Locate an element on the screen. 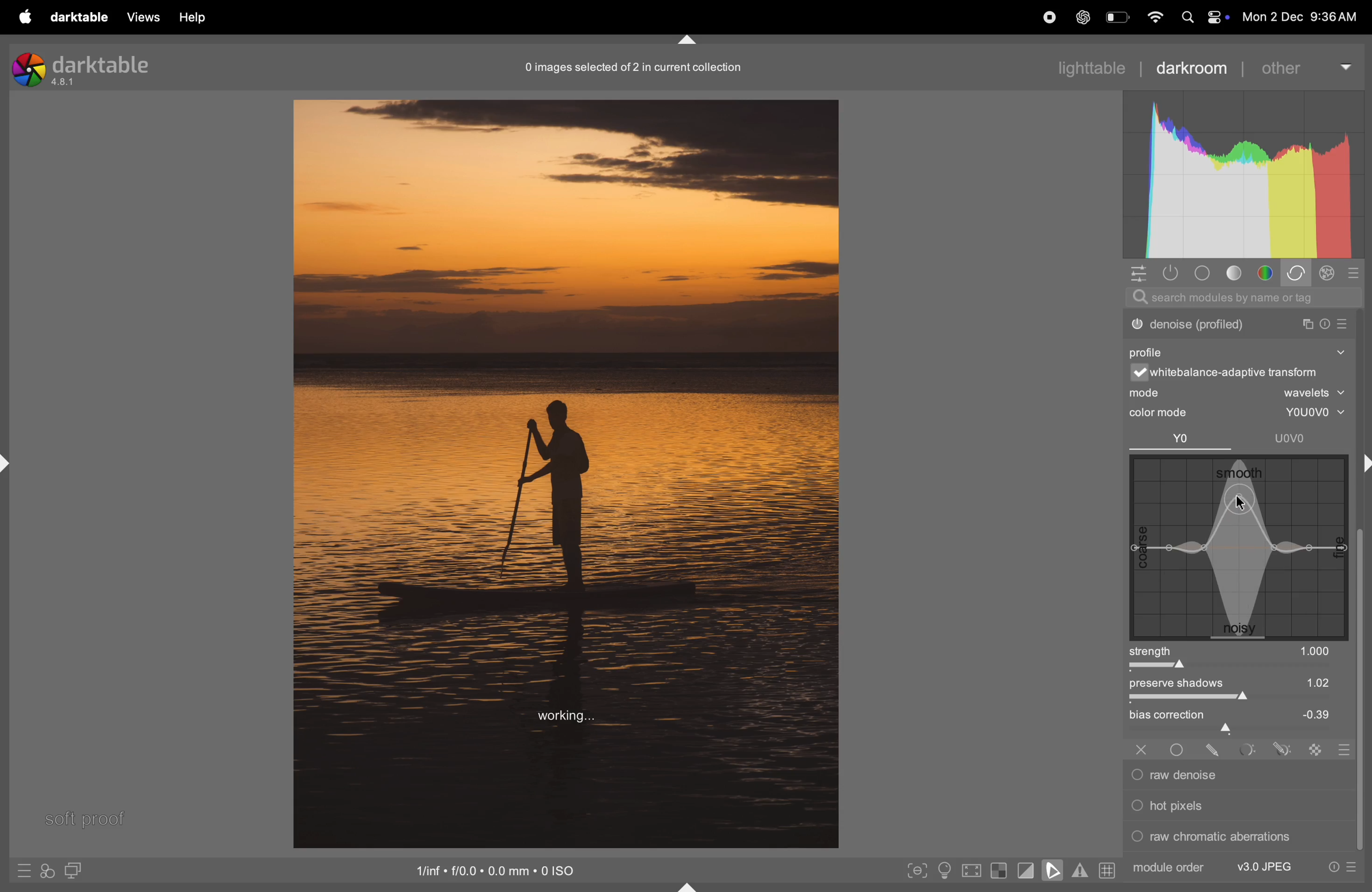  show ony active modules is located at coordinates (1173, 273).